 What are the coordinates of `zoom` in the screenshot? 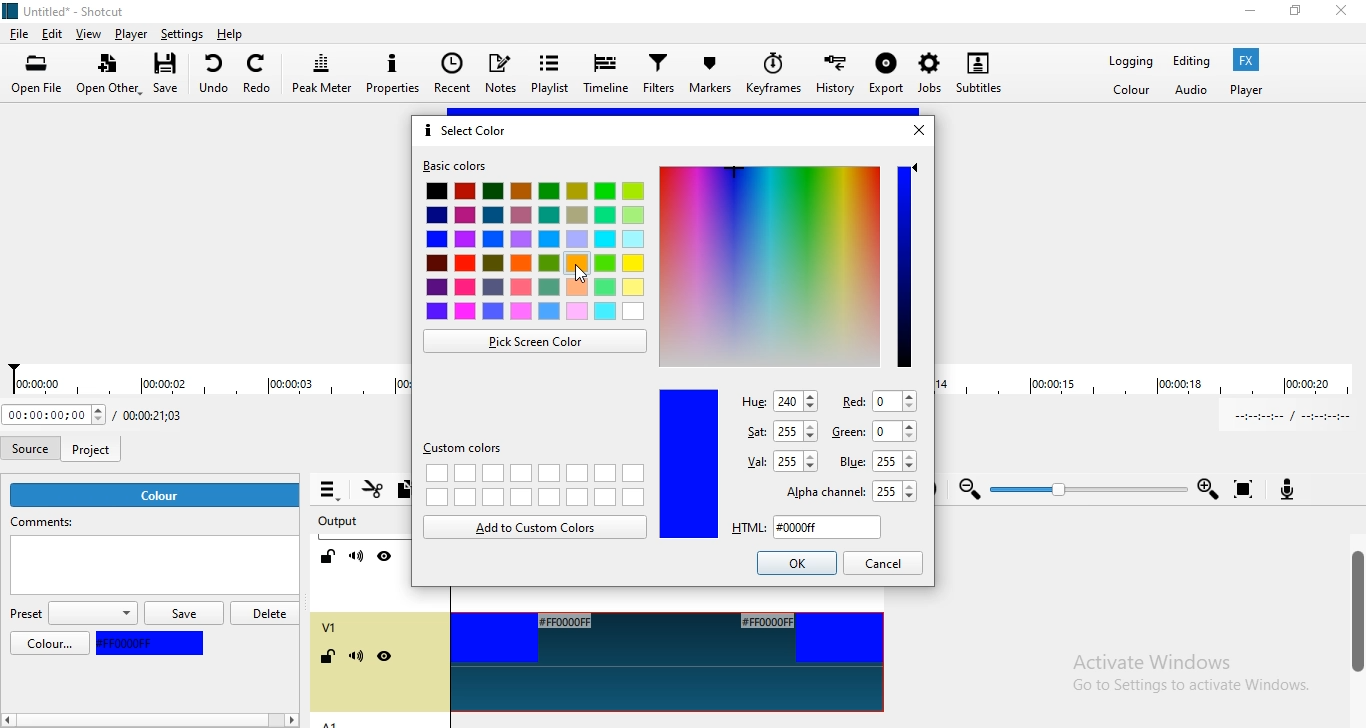 It's located at (964, 490).